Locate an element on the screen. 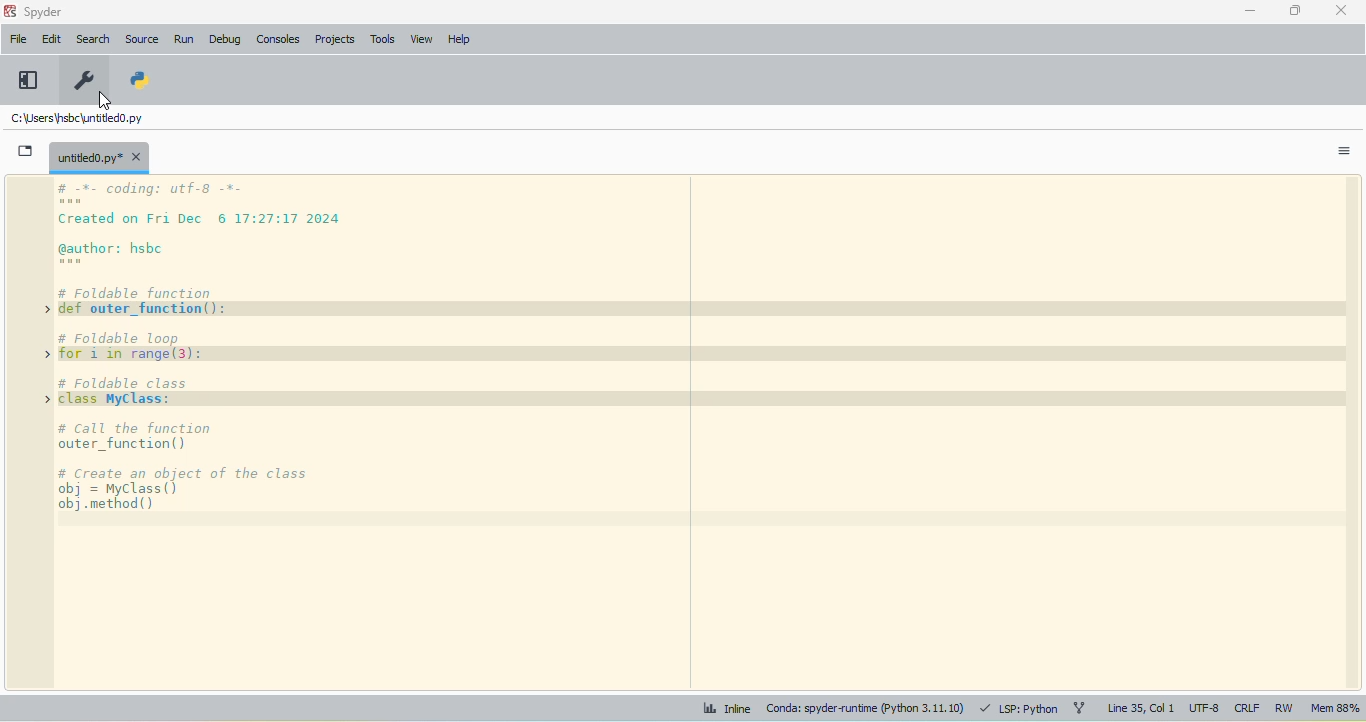 Image resolution: width=1366 pixels, height=722 pixels. close is located at coordinates (1342, 9).